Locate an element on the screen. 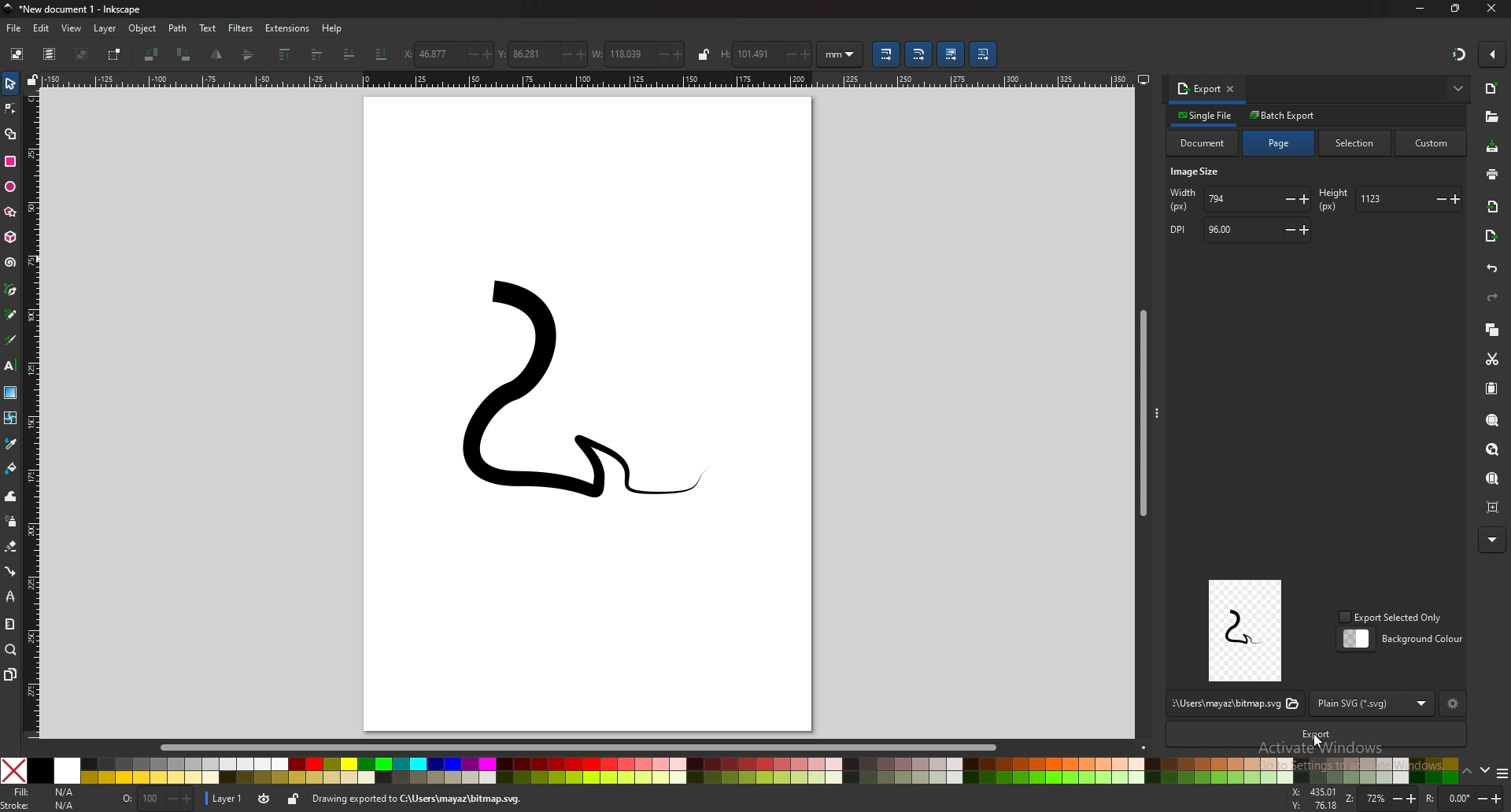 The height and width of the screenshot is (812, 1511). dpi is located at coordinates (1238, 231).